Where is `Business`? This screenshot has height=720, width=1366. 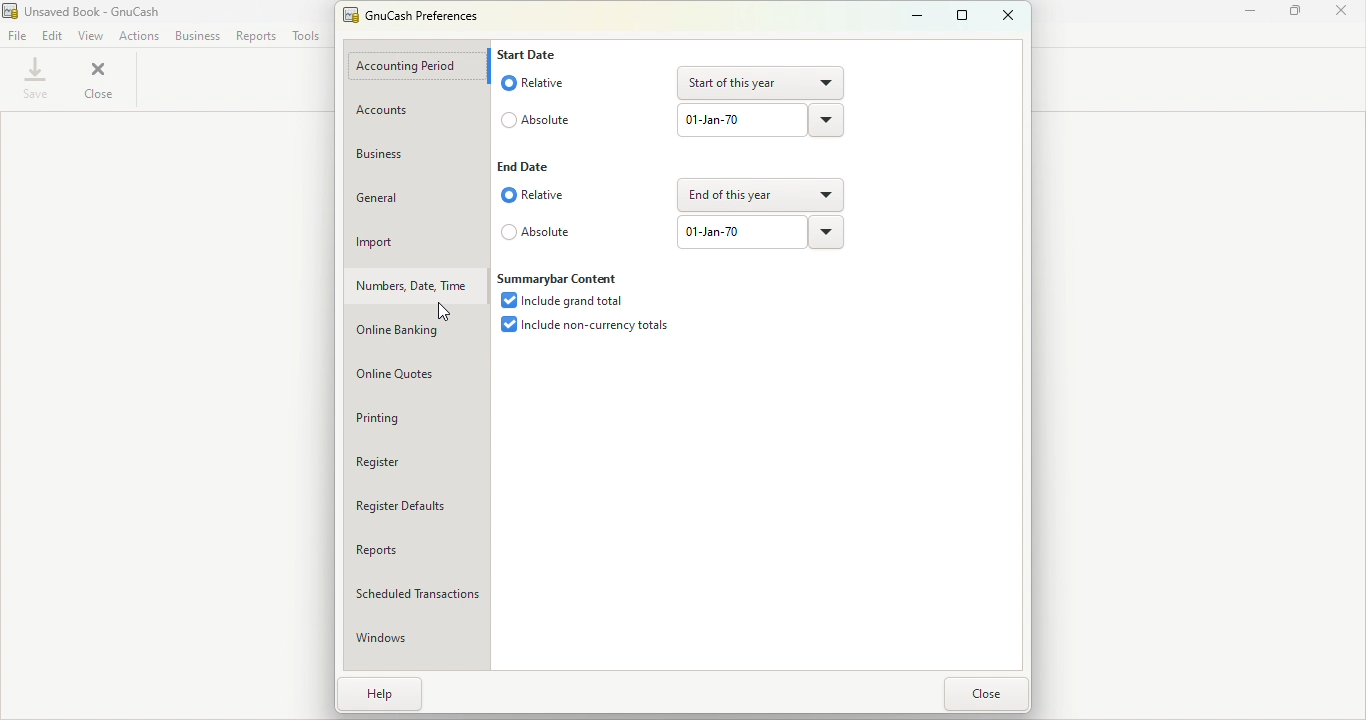 Business is located at coordinates (198, 37).